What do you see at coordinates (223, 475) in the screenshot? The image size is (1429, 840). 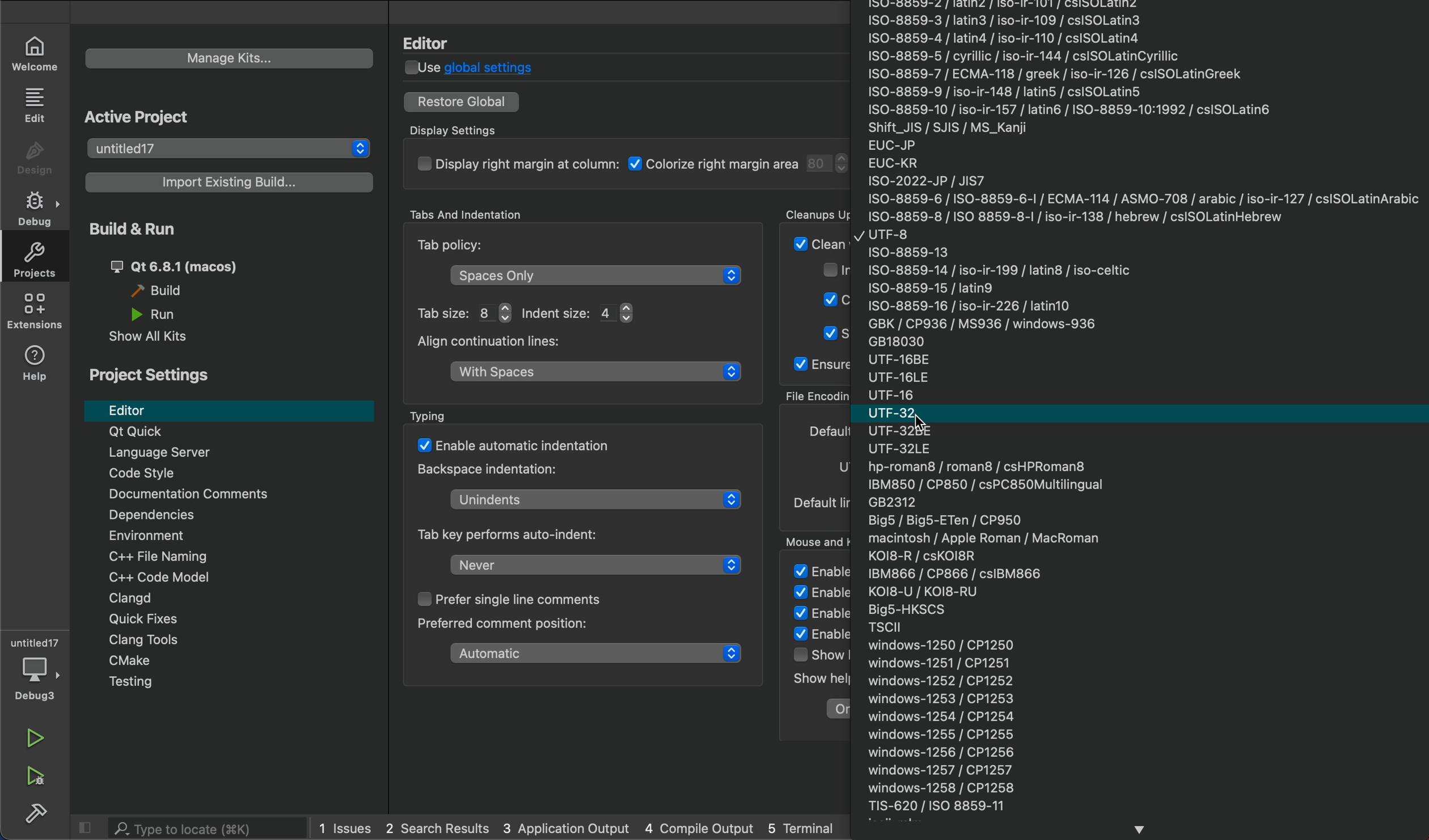 I see `code style` at bounding box center [223, 475].